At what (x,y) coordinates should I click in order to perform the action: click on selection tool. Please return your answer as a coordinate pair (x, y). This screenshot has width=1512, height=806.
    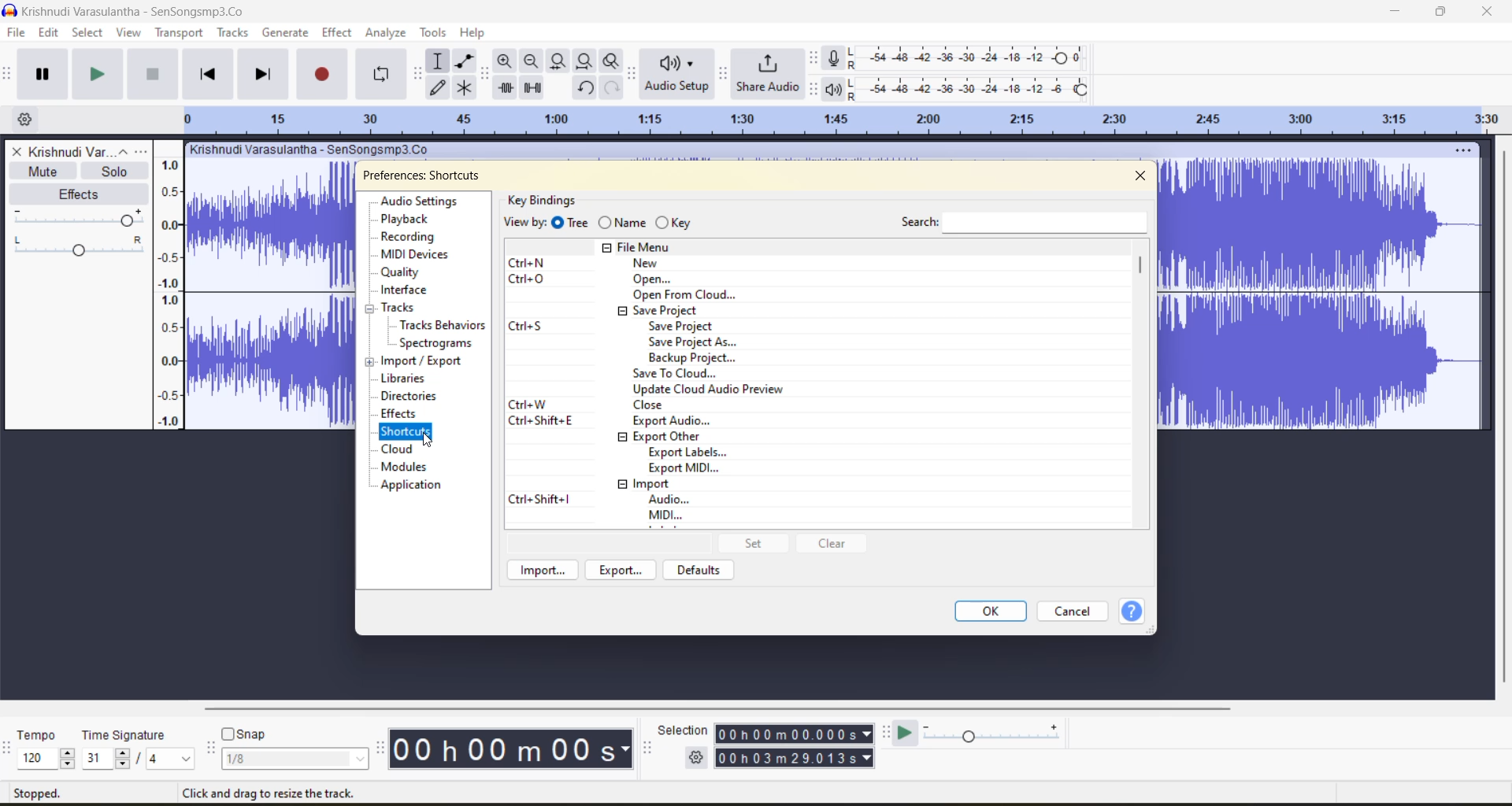
    Looking at the image, I should click on (438, 60).